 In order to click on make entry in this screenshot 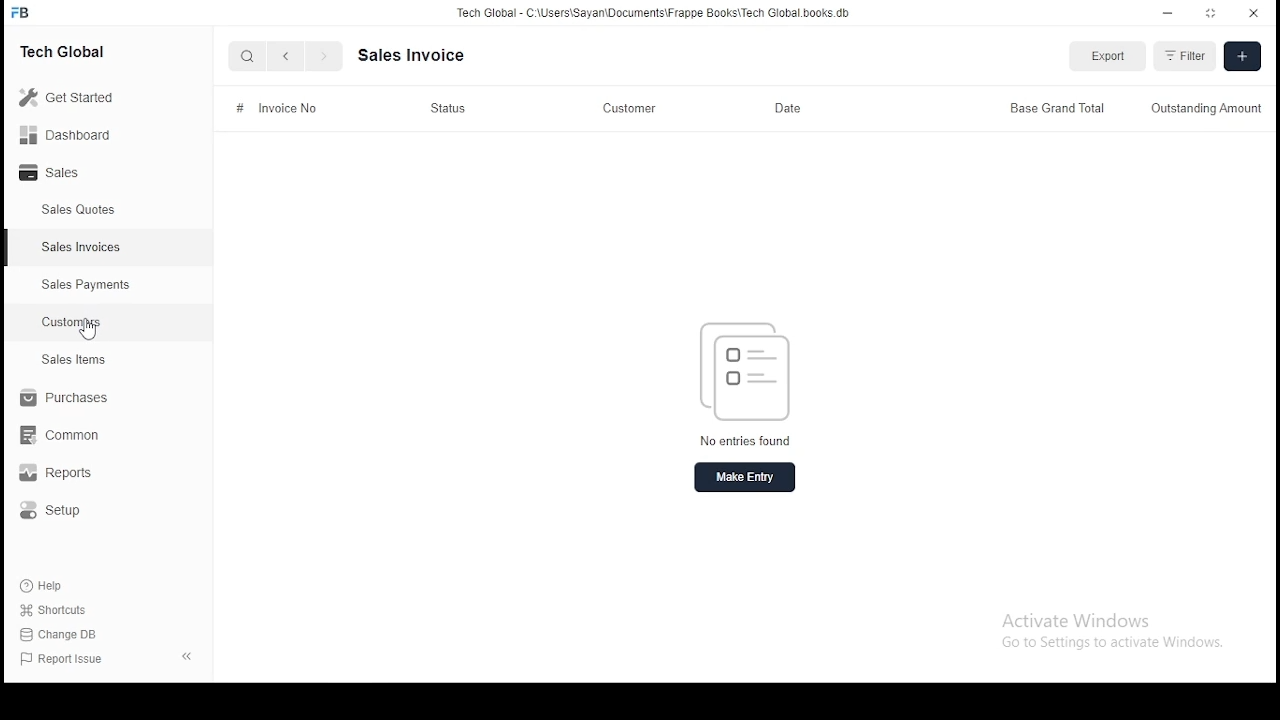, I will do `click(745, 476)`.